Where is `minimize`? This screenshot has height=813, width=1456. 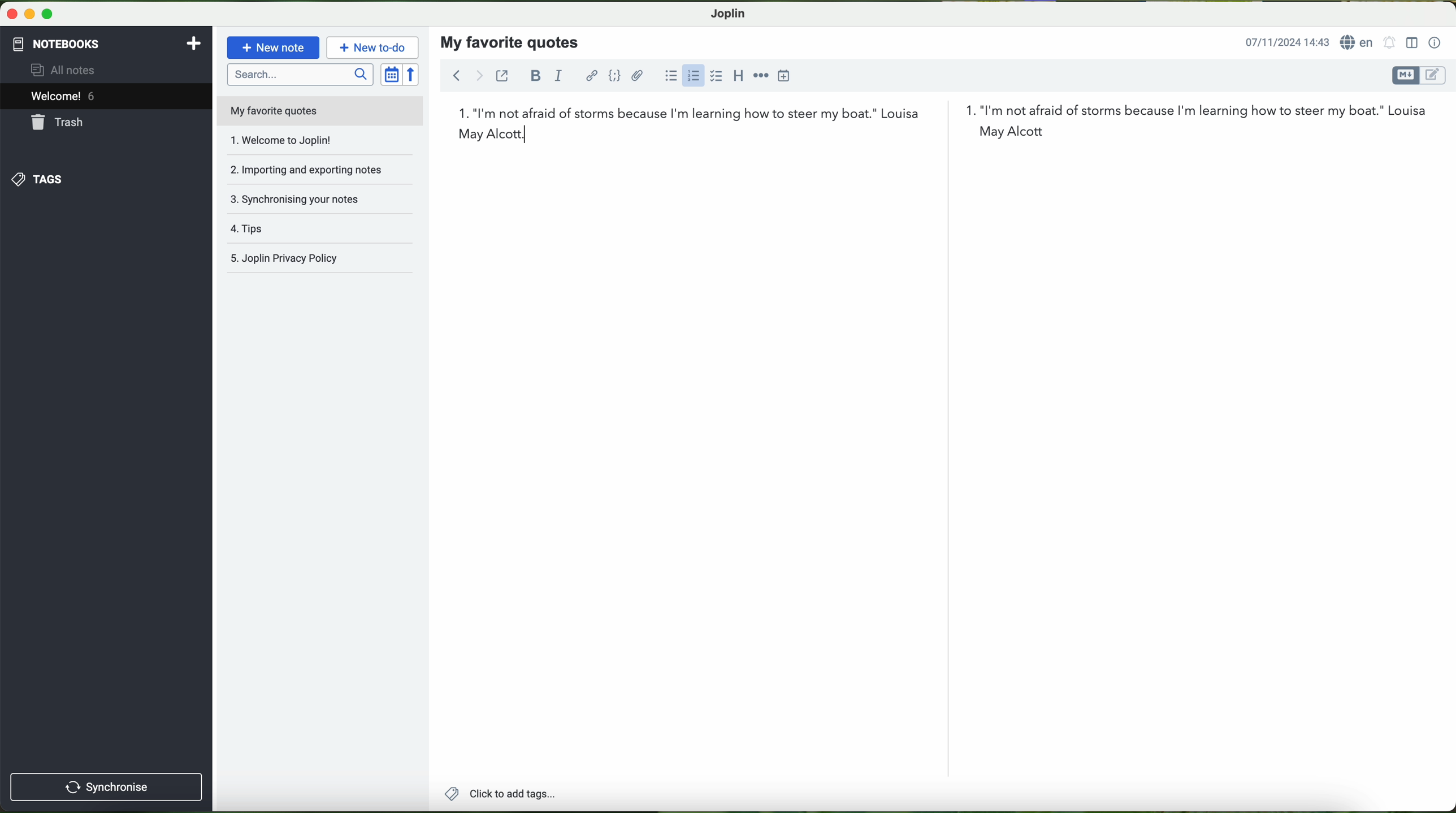 minimize is located at coordinates (29, 17).